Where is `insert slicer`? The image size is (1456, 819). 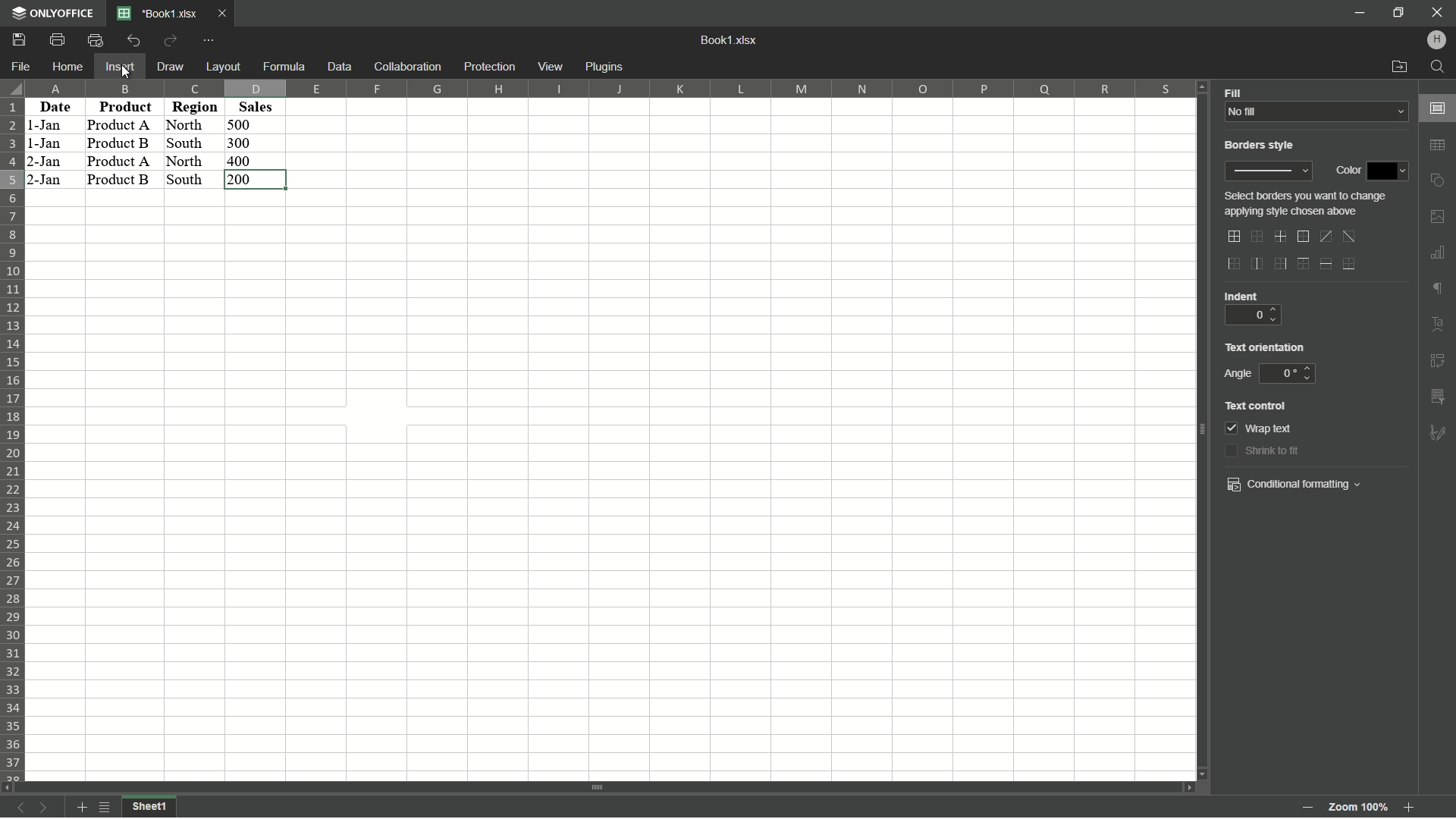
insert slicer is located at coordinates (1438, 395).